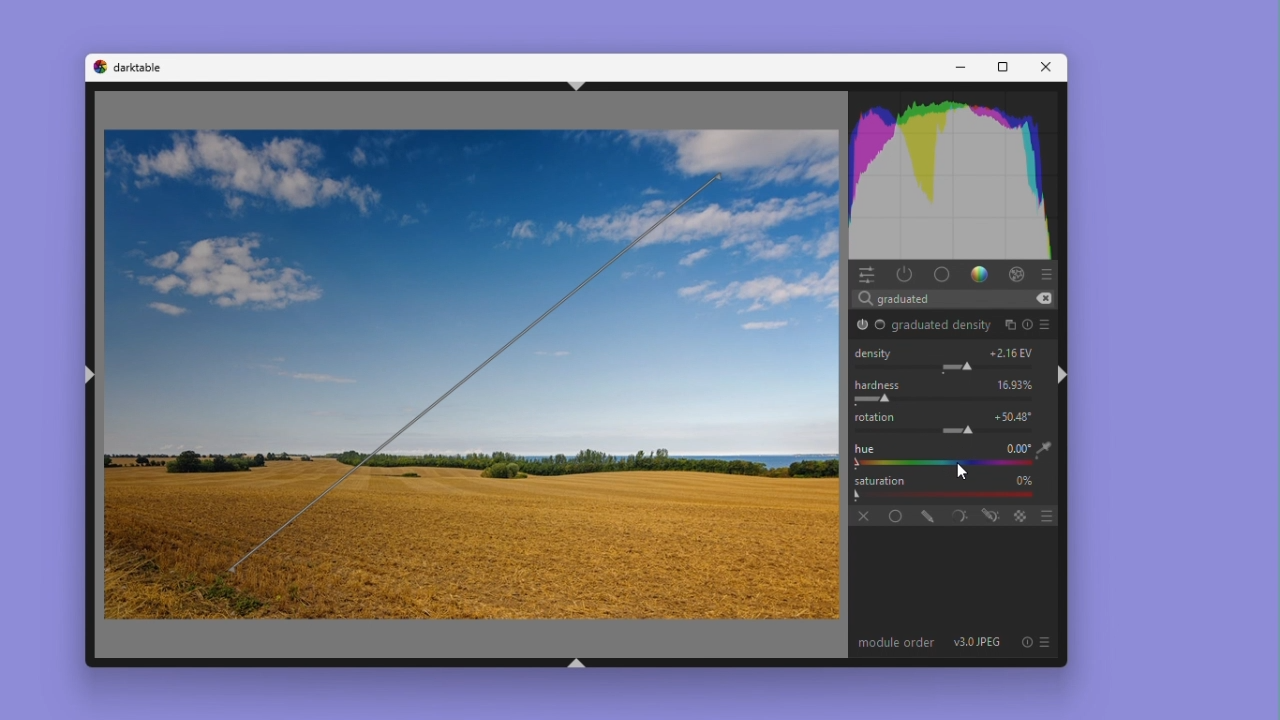 Image resolution: width=1280 pixels, height=720 pixels. I want to click on drawn and parametric mask, so click(989, 515).